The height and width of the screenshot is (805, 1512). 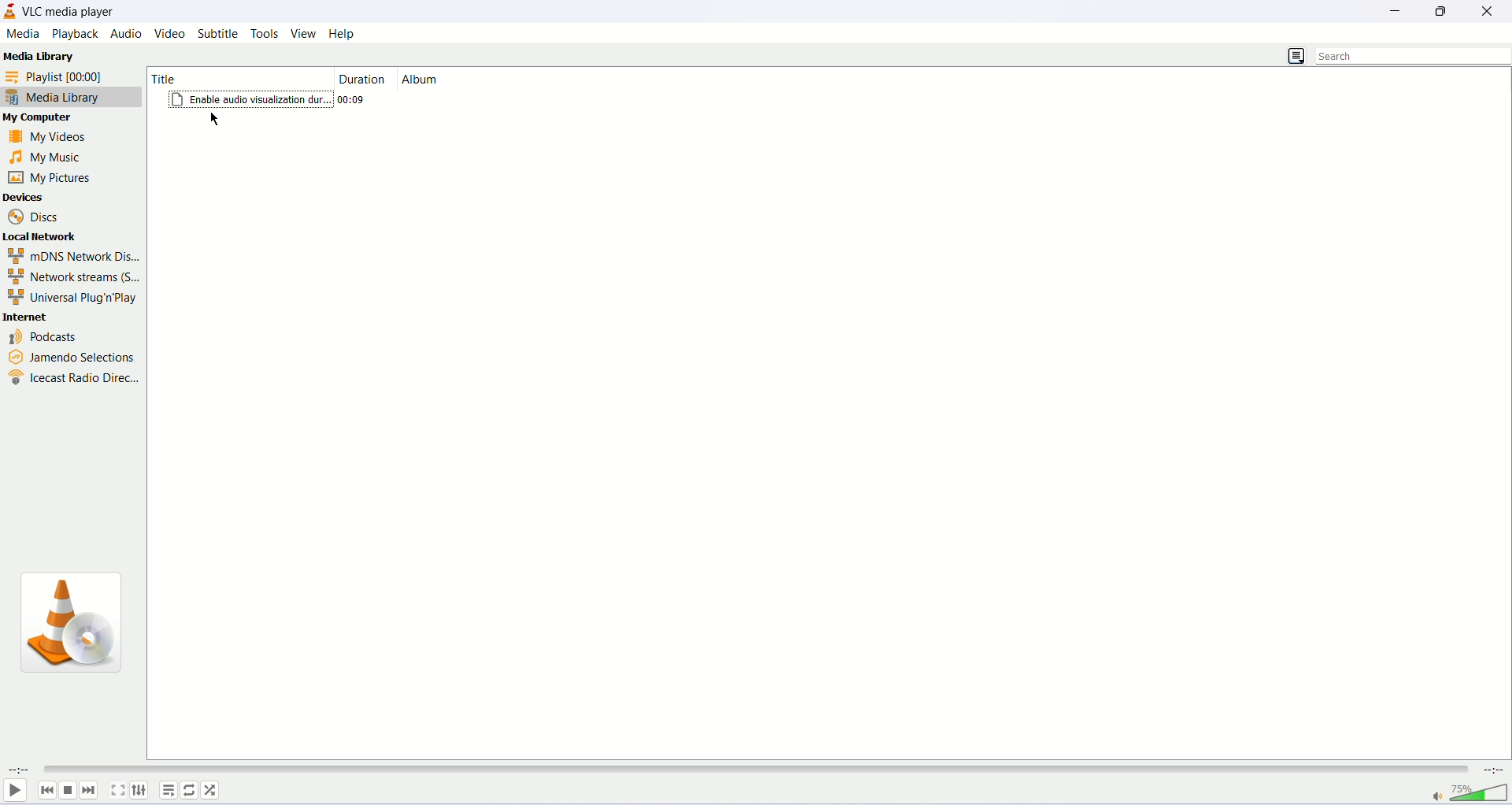 What do you see at coordinates (209, 790) in the screenshot?
I see `random` at bounding box center [209, 790].